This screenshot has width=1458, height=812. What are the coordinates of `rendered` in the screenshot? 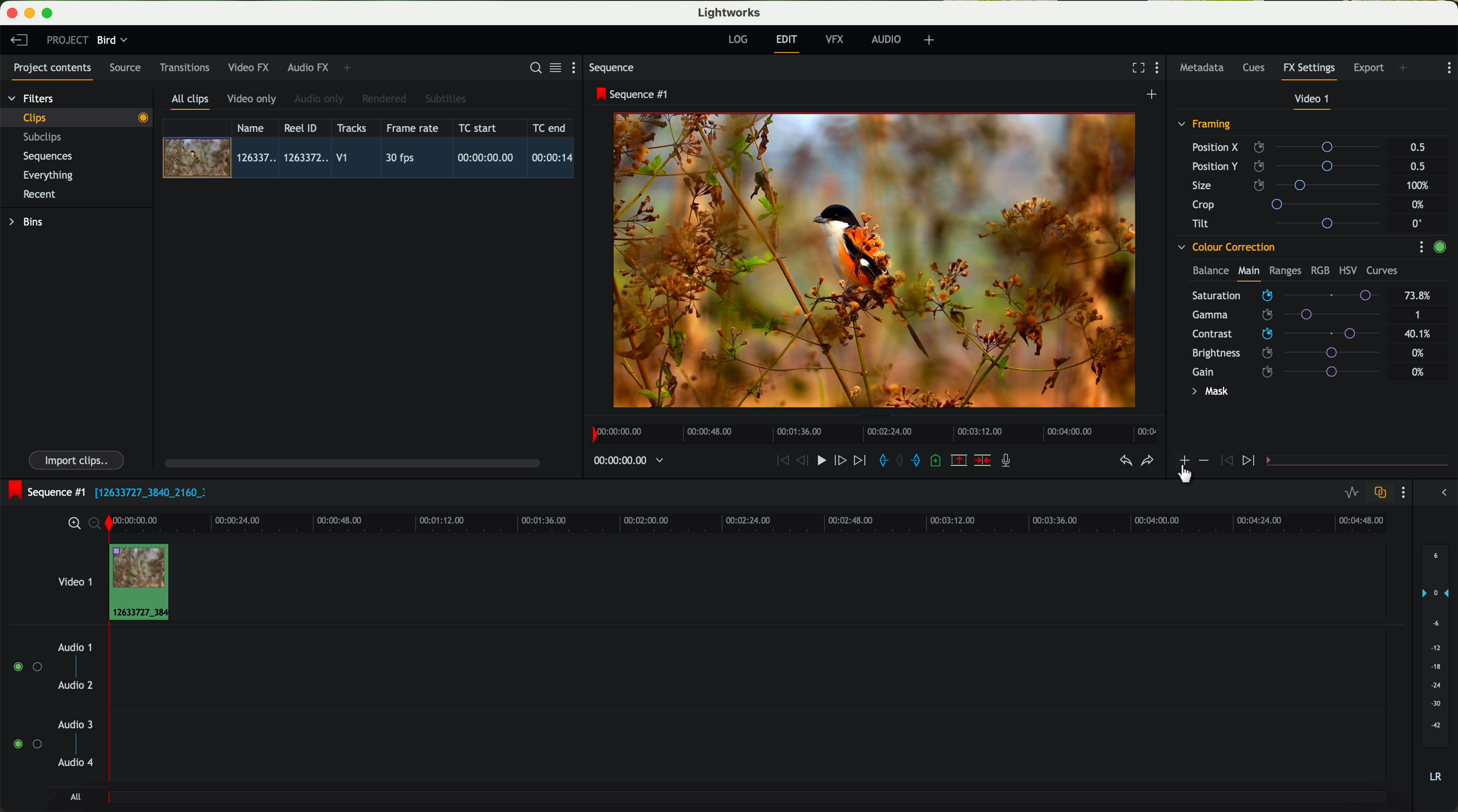 It's located at (385, 100).